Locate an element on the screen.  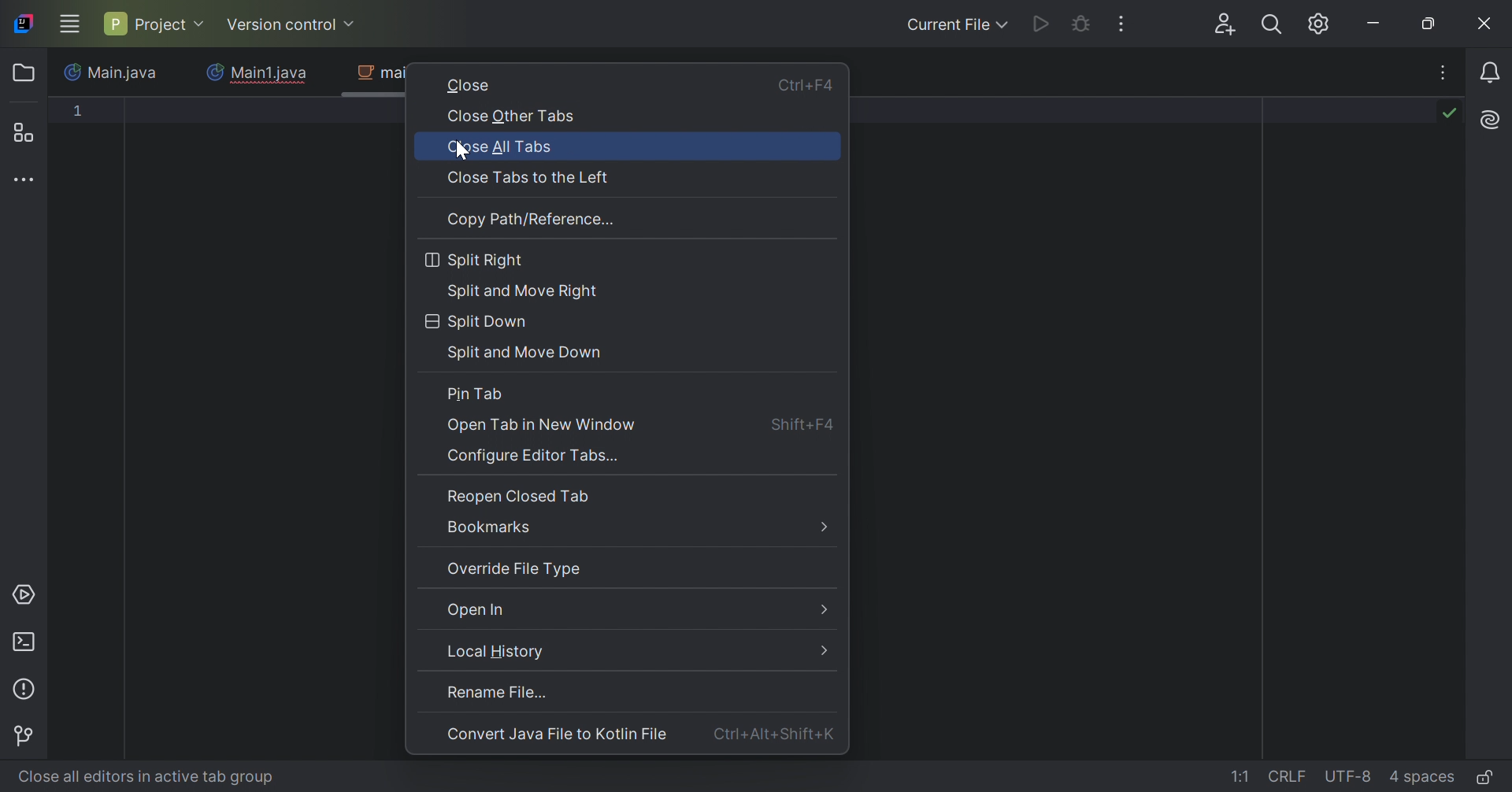
Version control is located at coordinates (27, 738).